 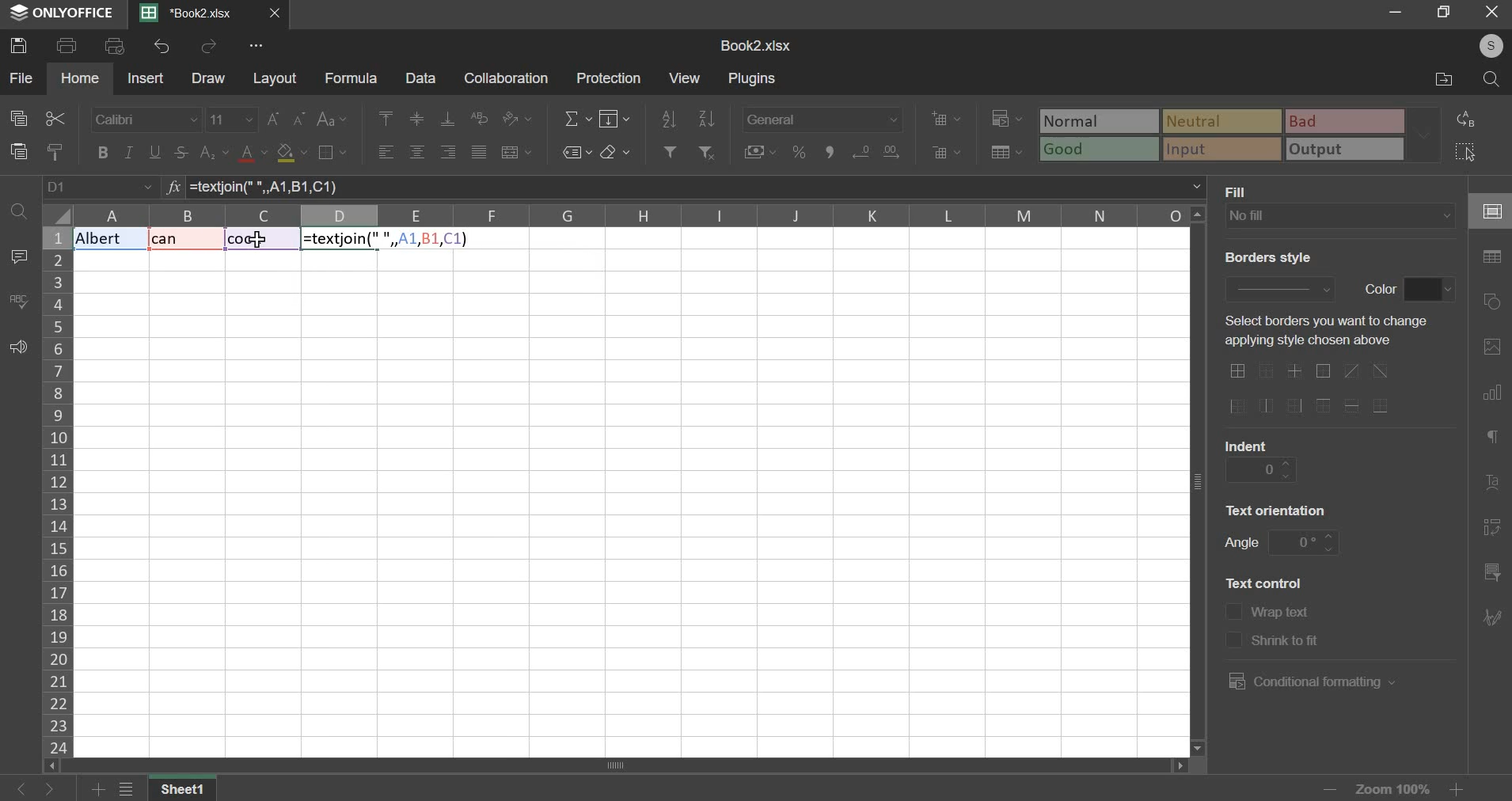 I want to click on orientation, so click(x=517, y=118).